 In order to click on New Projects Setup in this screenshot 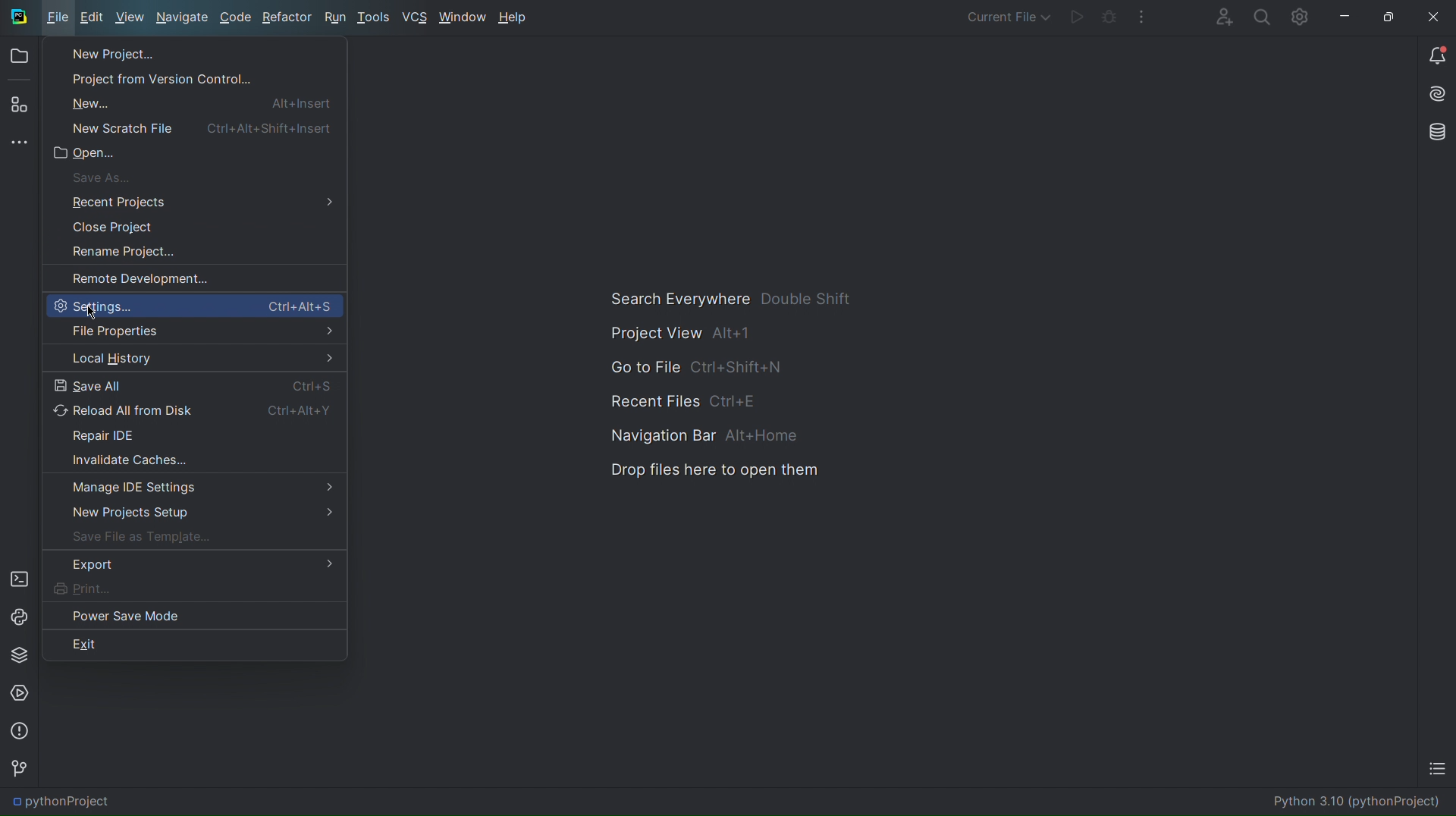, I will do `click(194, 513)`.